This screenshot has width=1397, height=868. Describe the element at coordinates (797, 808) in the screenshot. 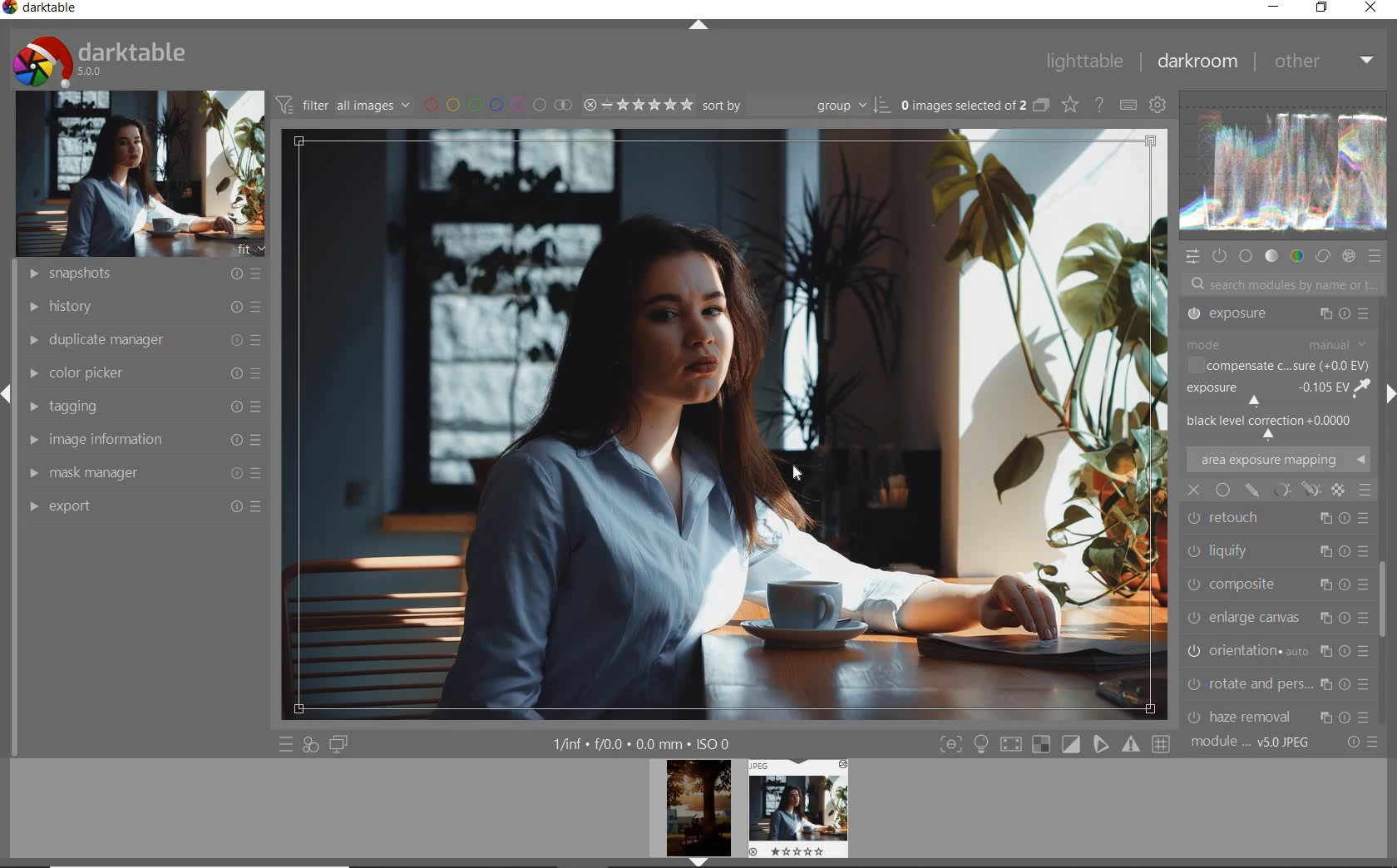

I see `IMAGE PREVIEW` at that location.